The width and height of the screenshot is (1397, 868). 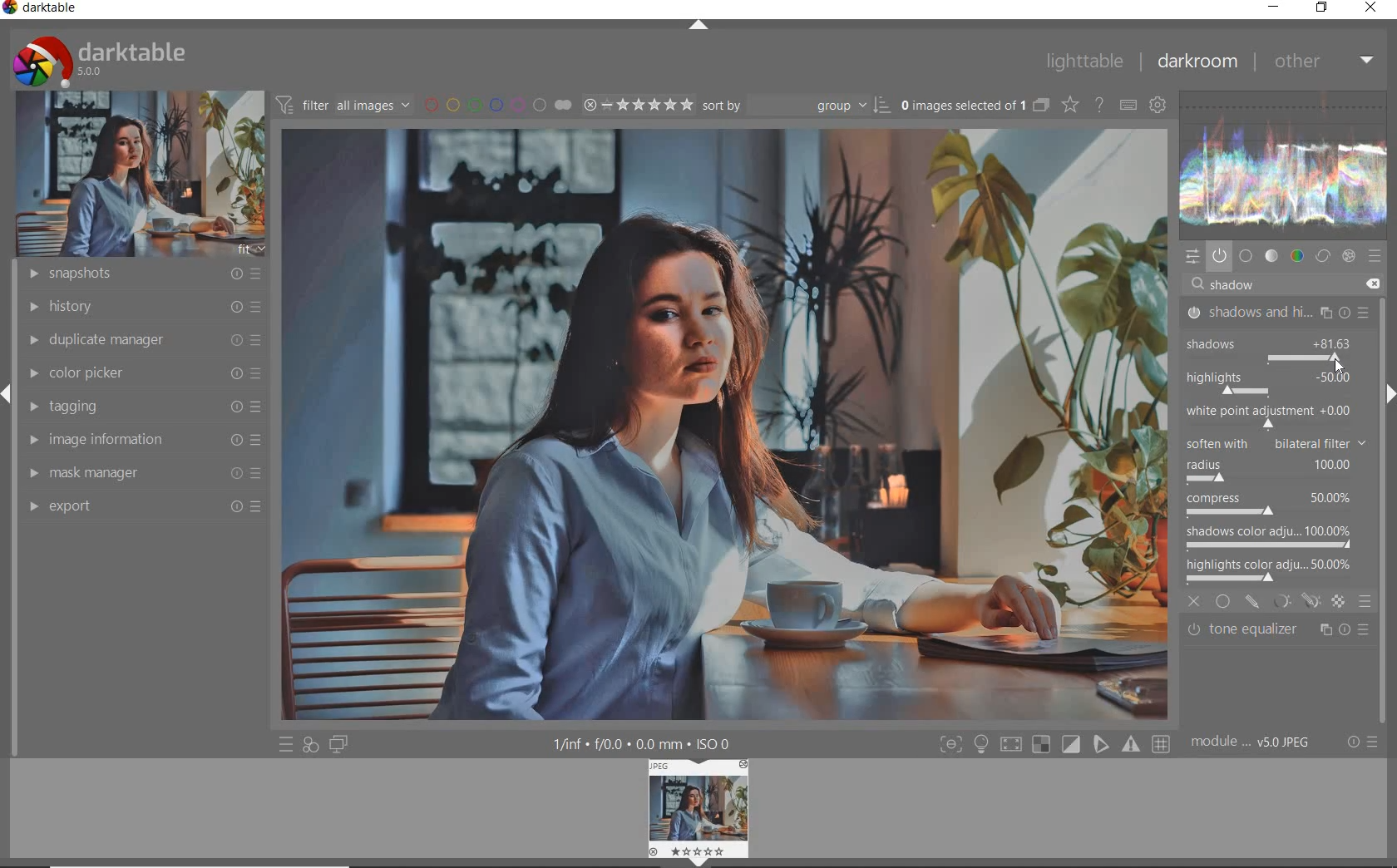 I want to click on selected images, so click(x=961, y=105).